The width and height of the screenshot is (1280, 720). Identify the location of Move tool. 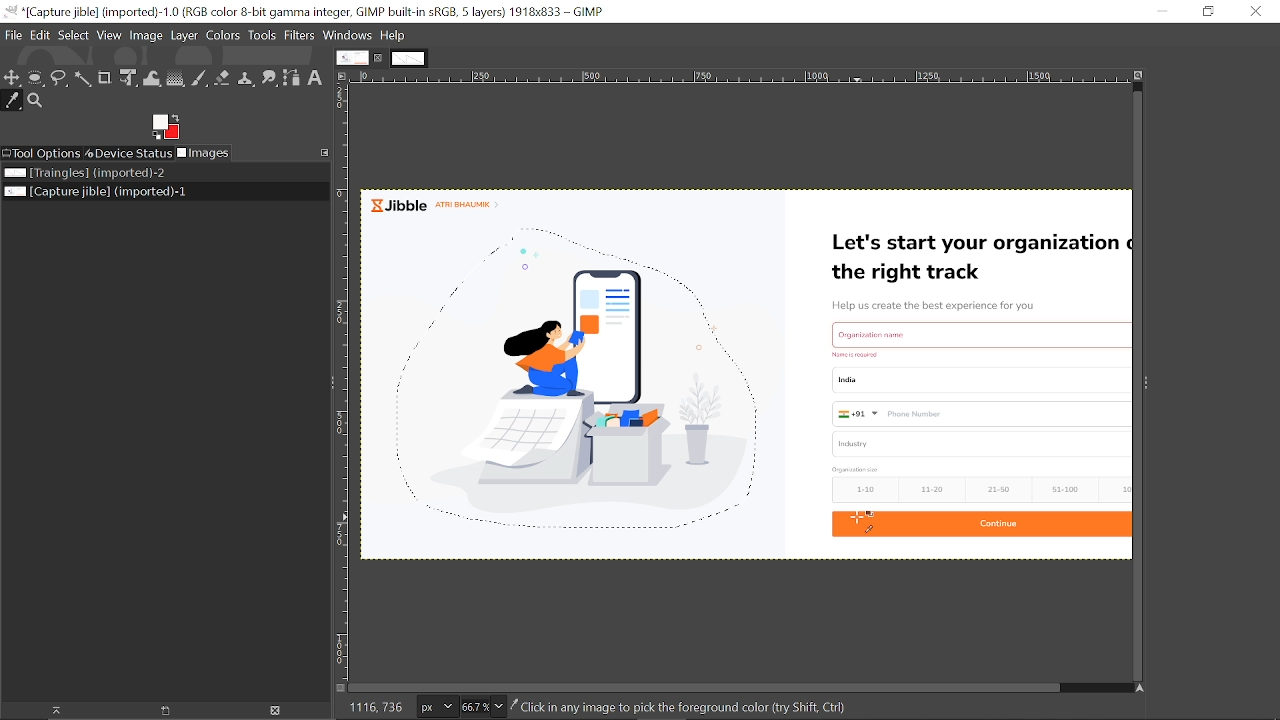
(13, 79).